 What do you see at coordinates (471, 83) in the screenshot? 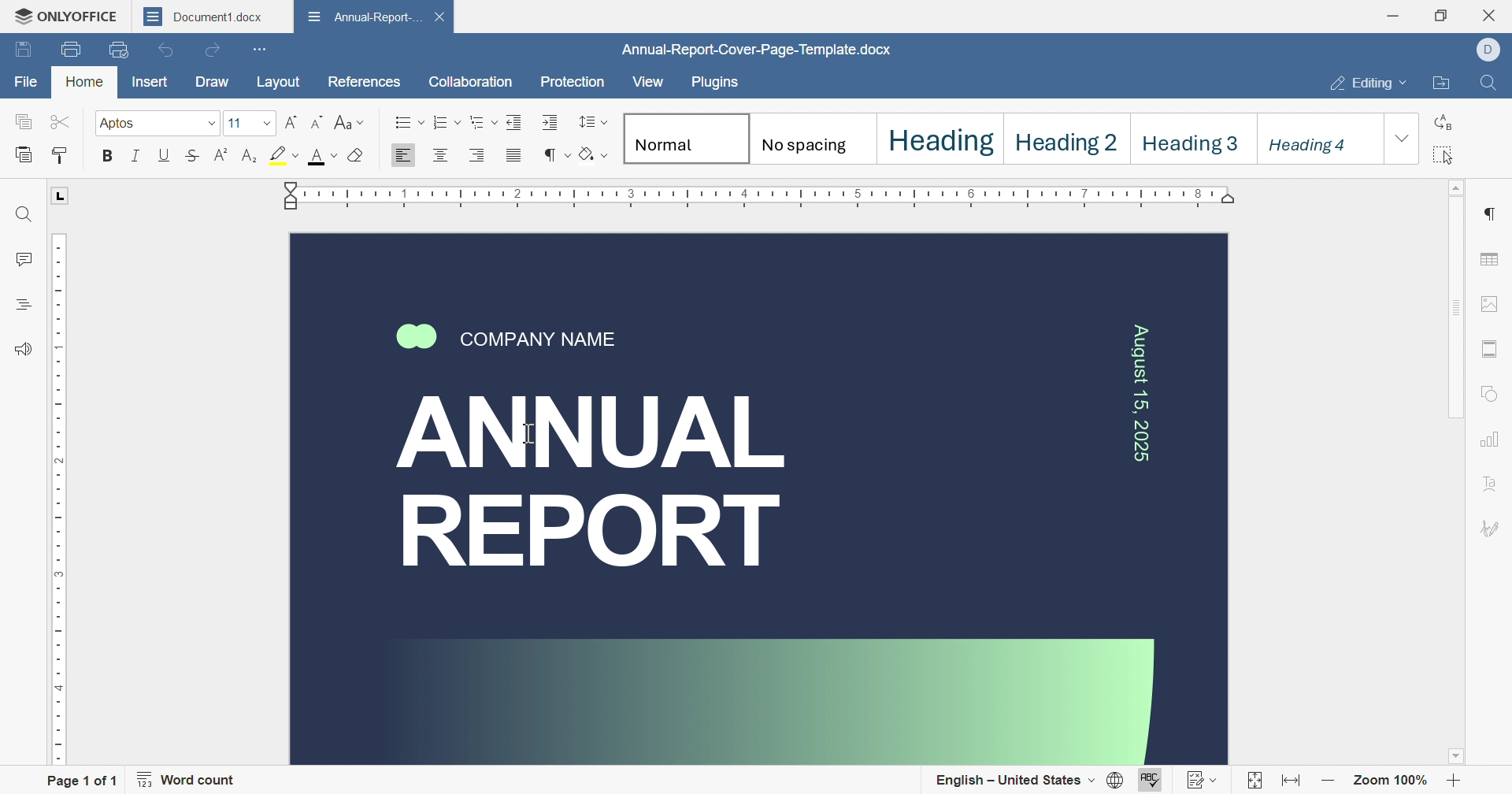
I see `collaboration` at bounding box center [471, 83].